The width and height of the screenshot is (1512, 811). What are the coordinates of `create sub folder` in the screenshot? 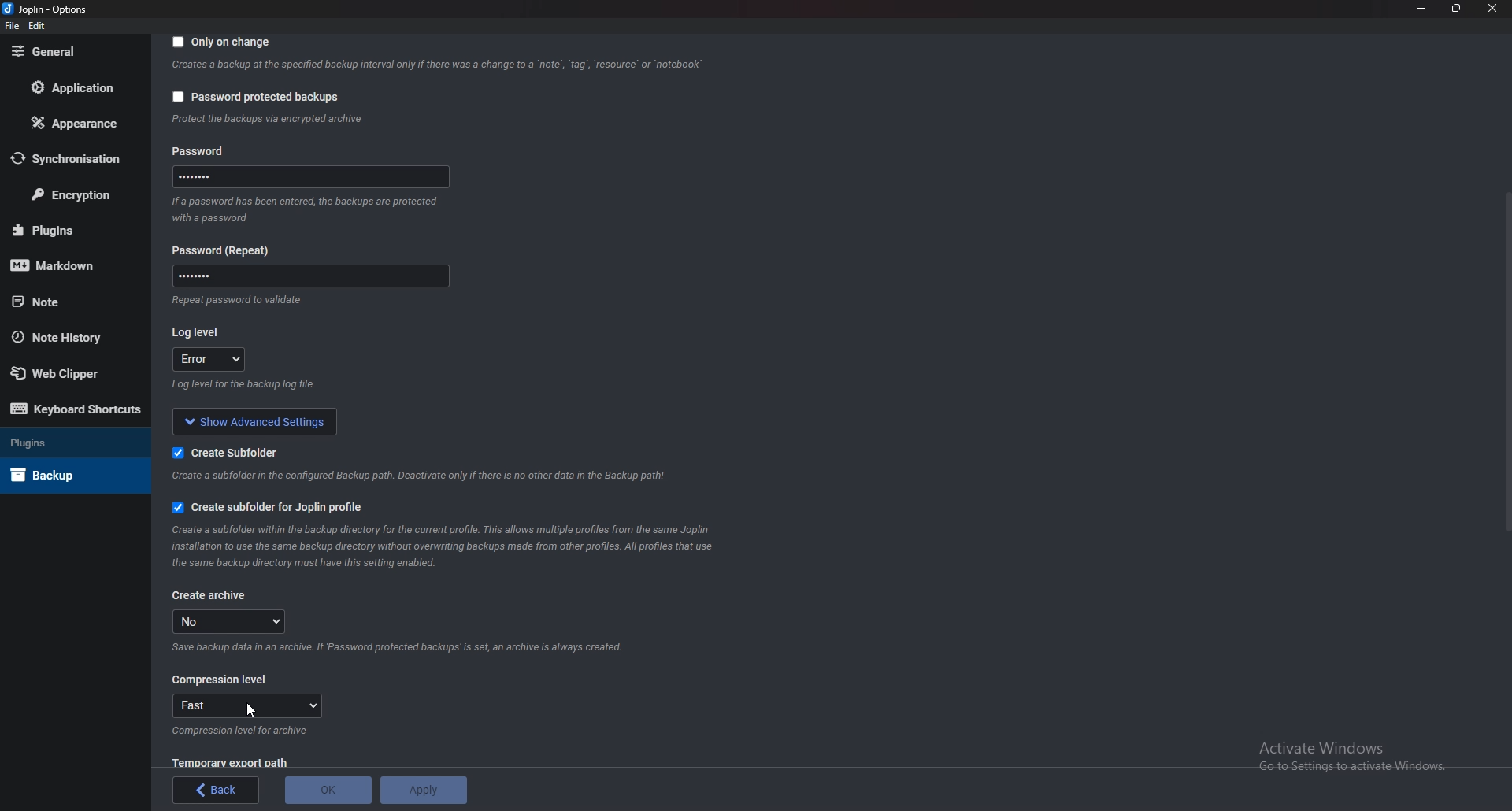 It's located at (220, 453).